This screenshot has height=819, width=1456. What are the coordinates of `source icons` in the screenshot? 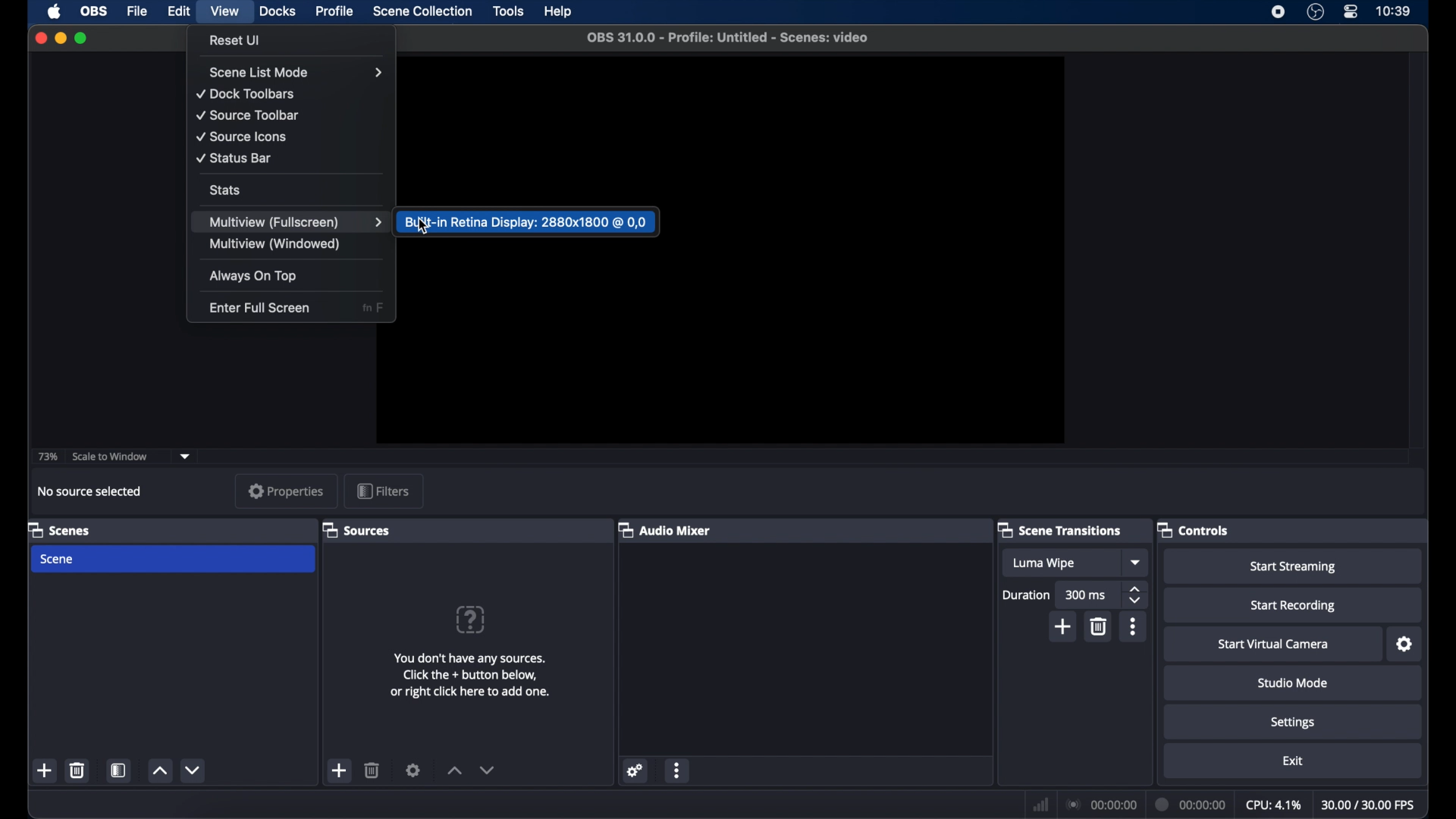 It's located at (243, 136).